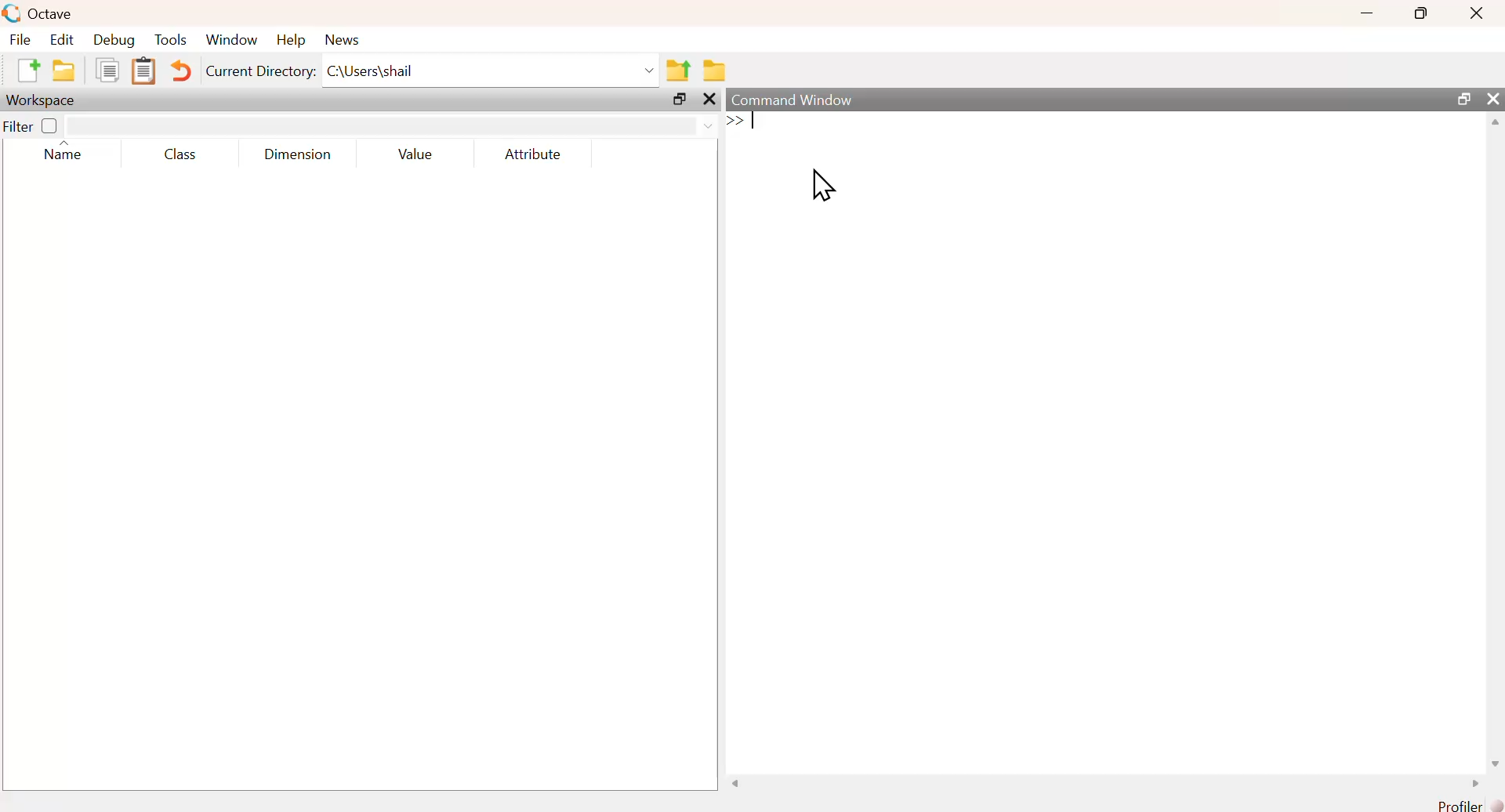  I want to click on Workspace, so click(44, 100).